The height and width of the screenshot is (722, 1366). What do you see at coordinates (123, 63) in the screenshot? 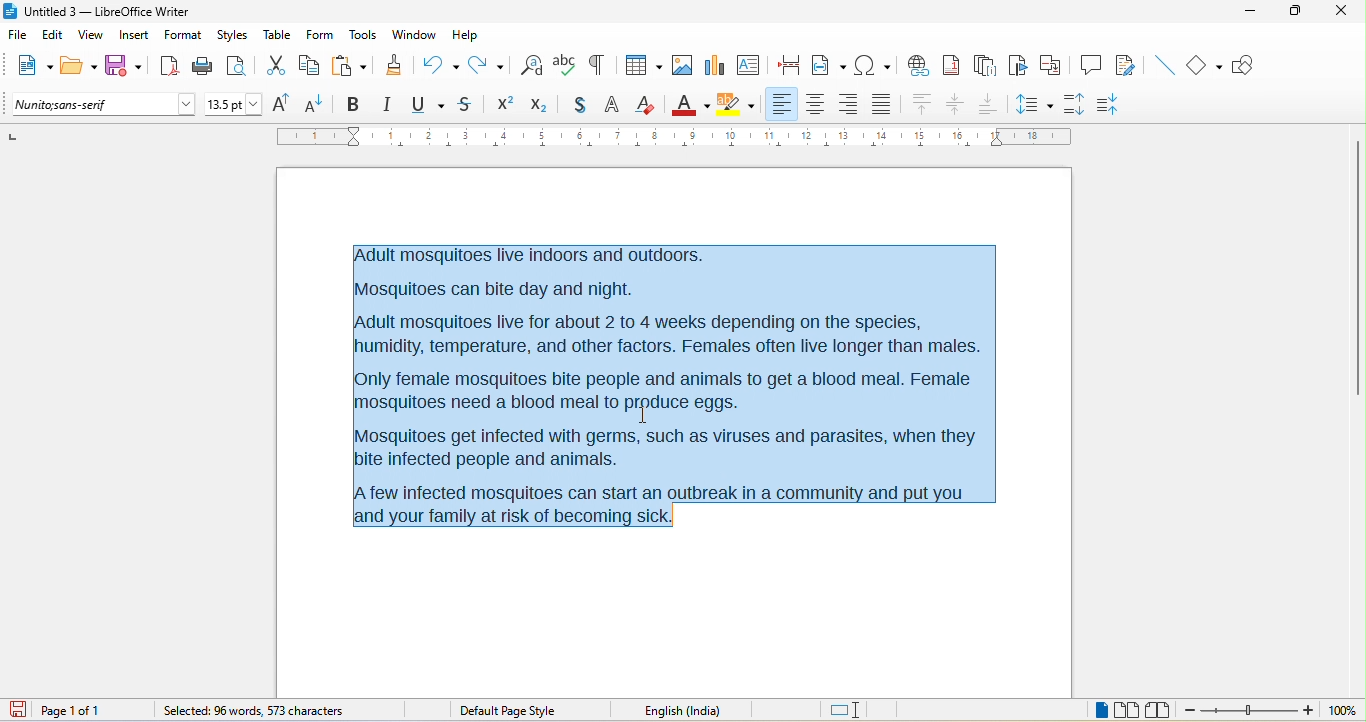
I see `save` at bounding box center [123, 63].